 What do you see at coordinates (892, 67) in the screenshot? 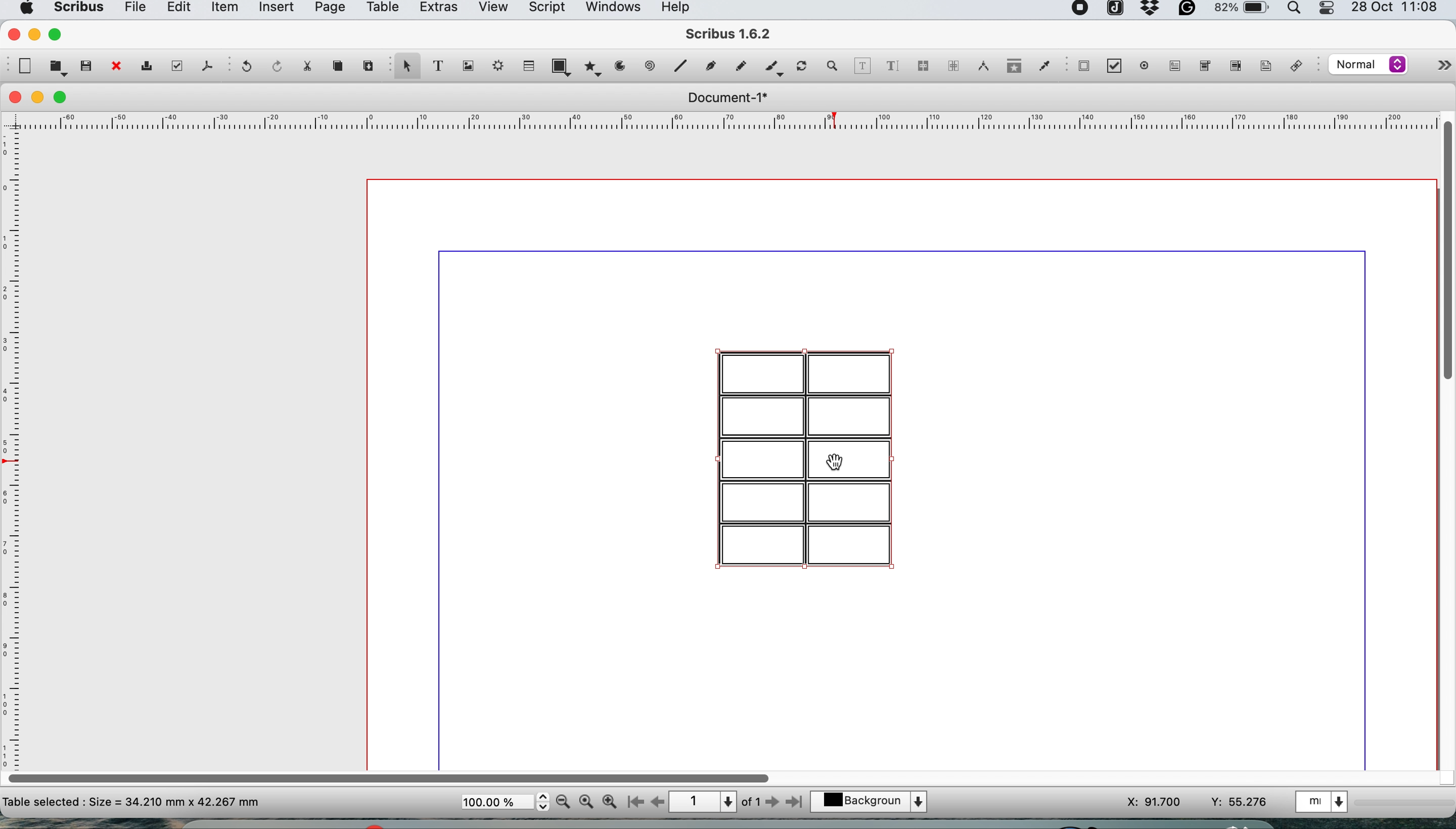
I see `edit text with story mode` at bounding box center [892, 67].